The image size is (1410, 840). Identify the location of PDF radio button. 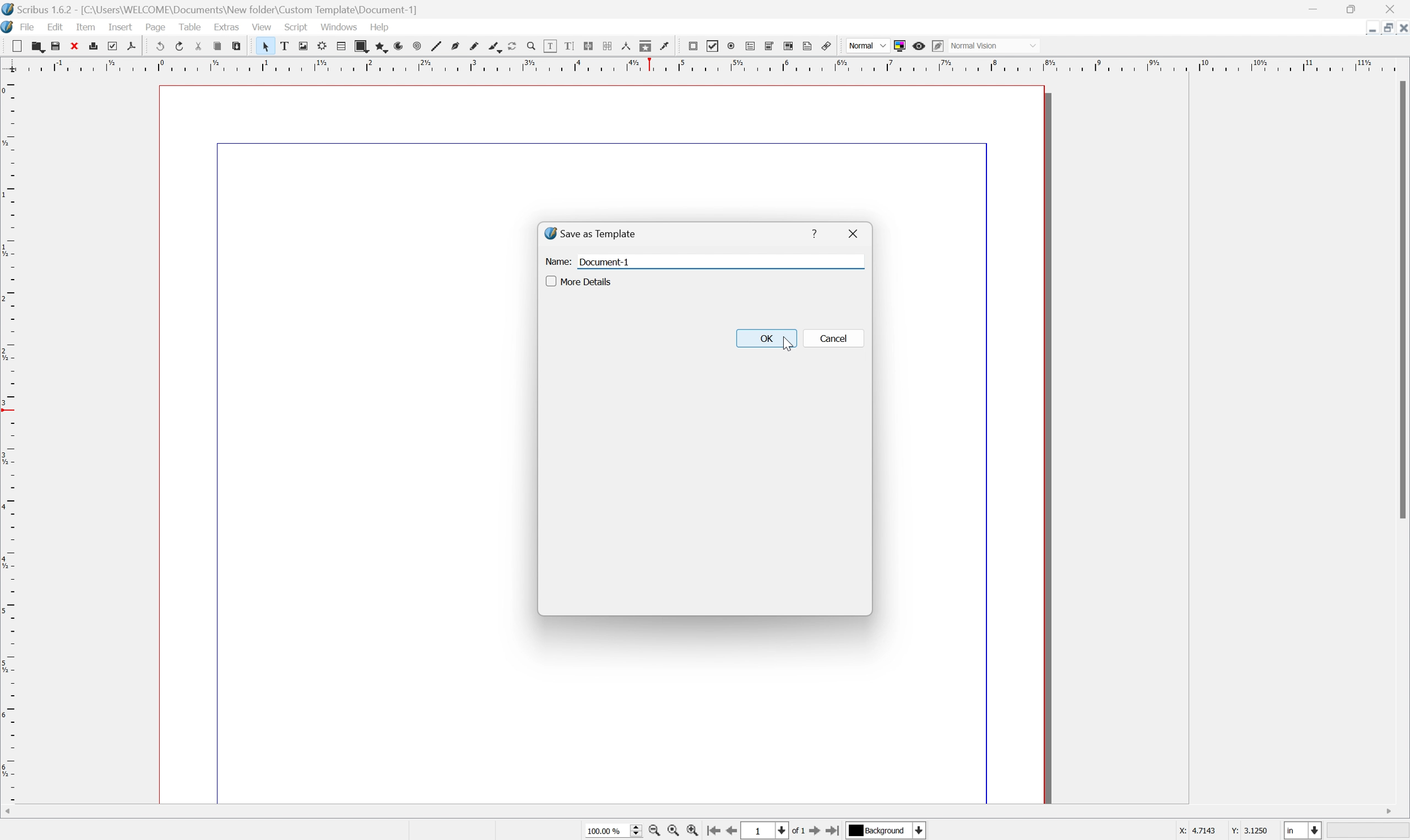
(732, 46).